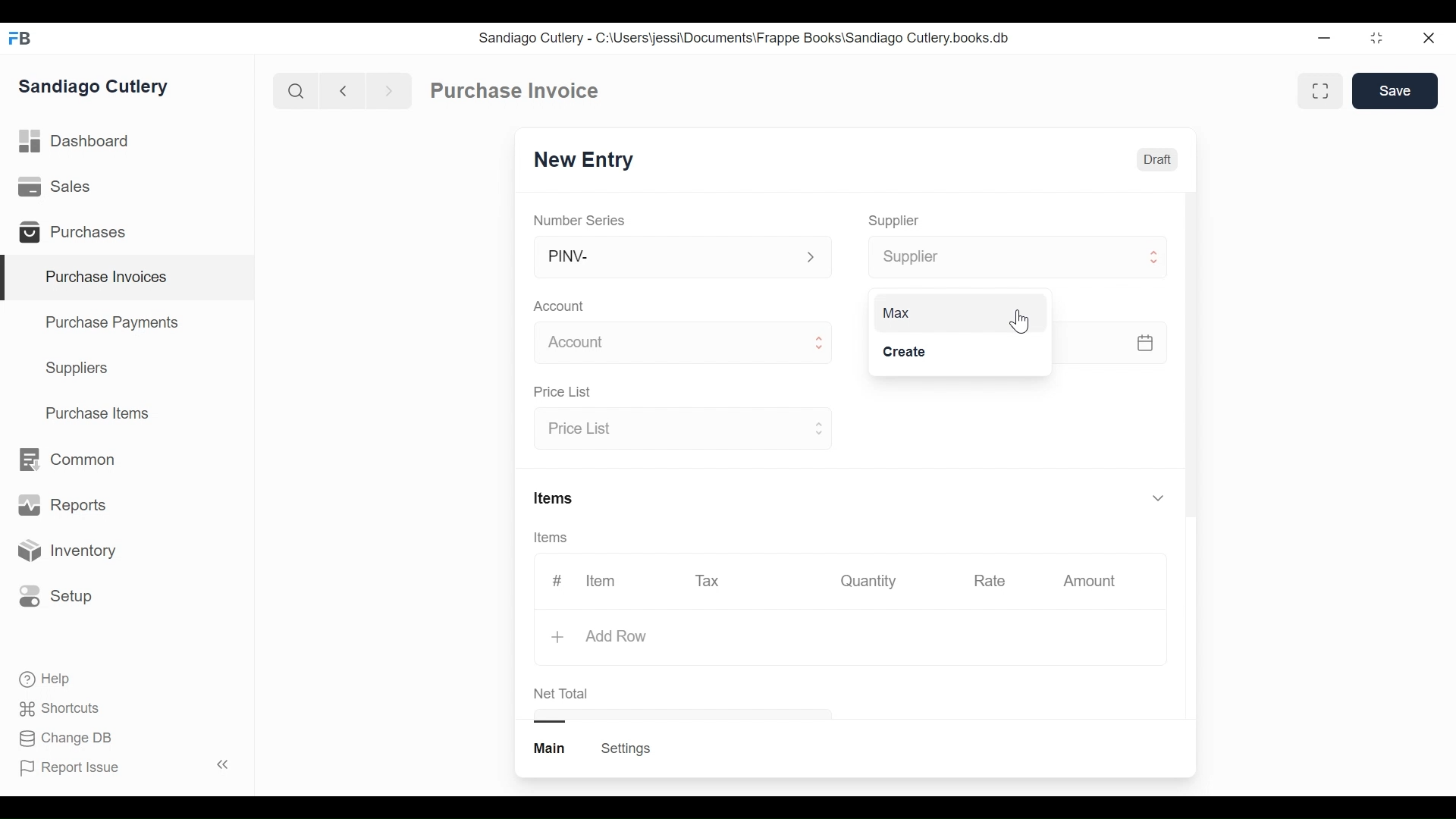  Describe the element at coordinates (811, 258) in the screenshot. I see `Expand` at that location.